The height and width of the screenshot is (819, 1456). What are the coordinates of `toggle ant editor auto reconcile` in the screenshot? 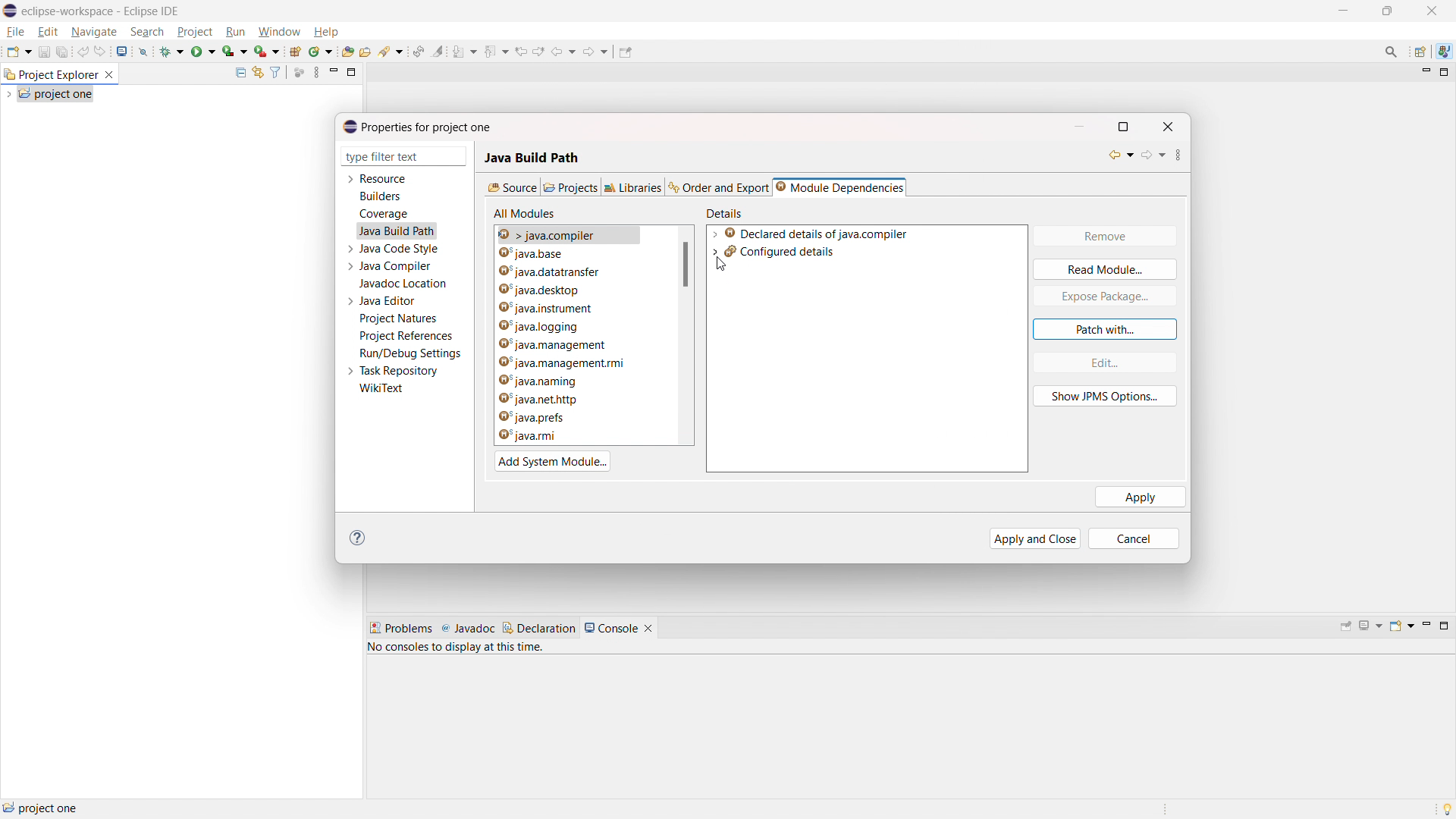 It's located at (418, 51).